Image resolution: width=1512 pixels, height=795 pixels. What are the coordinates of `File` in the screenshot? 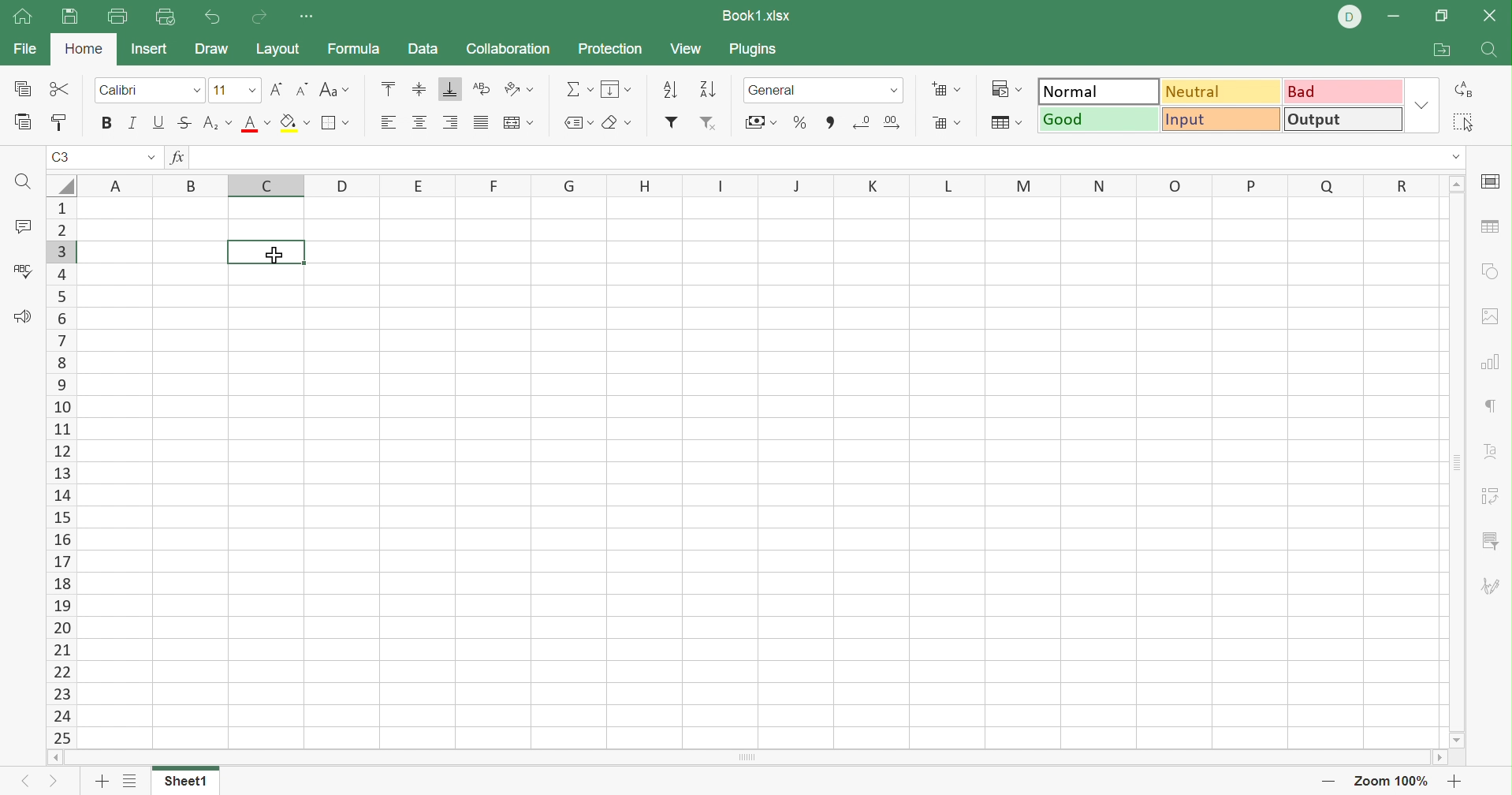 It's located at (23, 50).